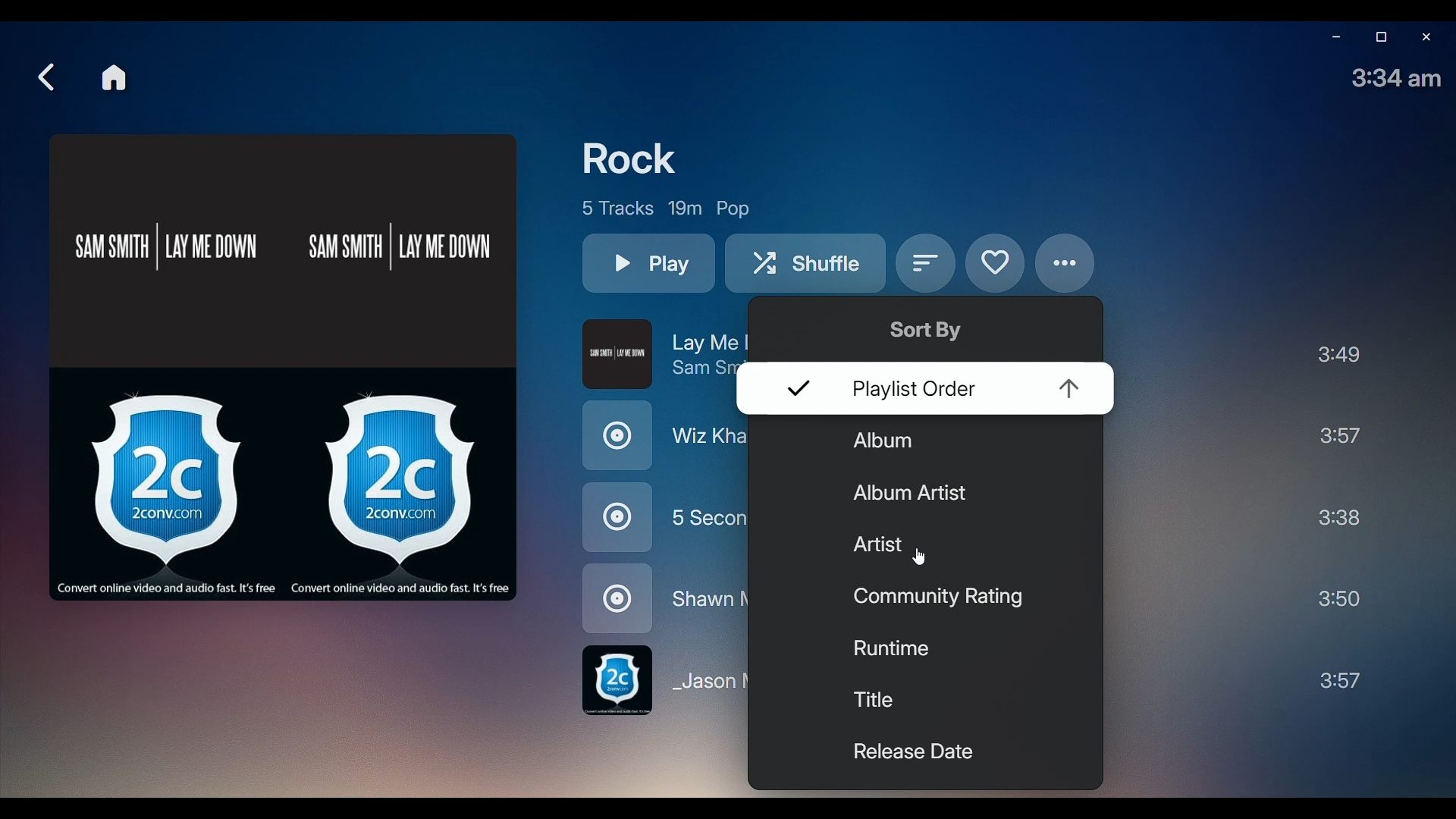  I want to click on Sort by, so click(927, 266).